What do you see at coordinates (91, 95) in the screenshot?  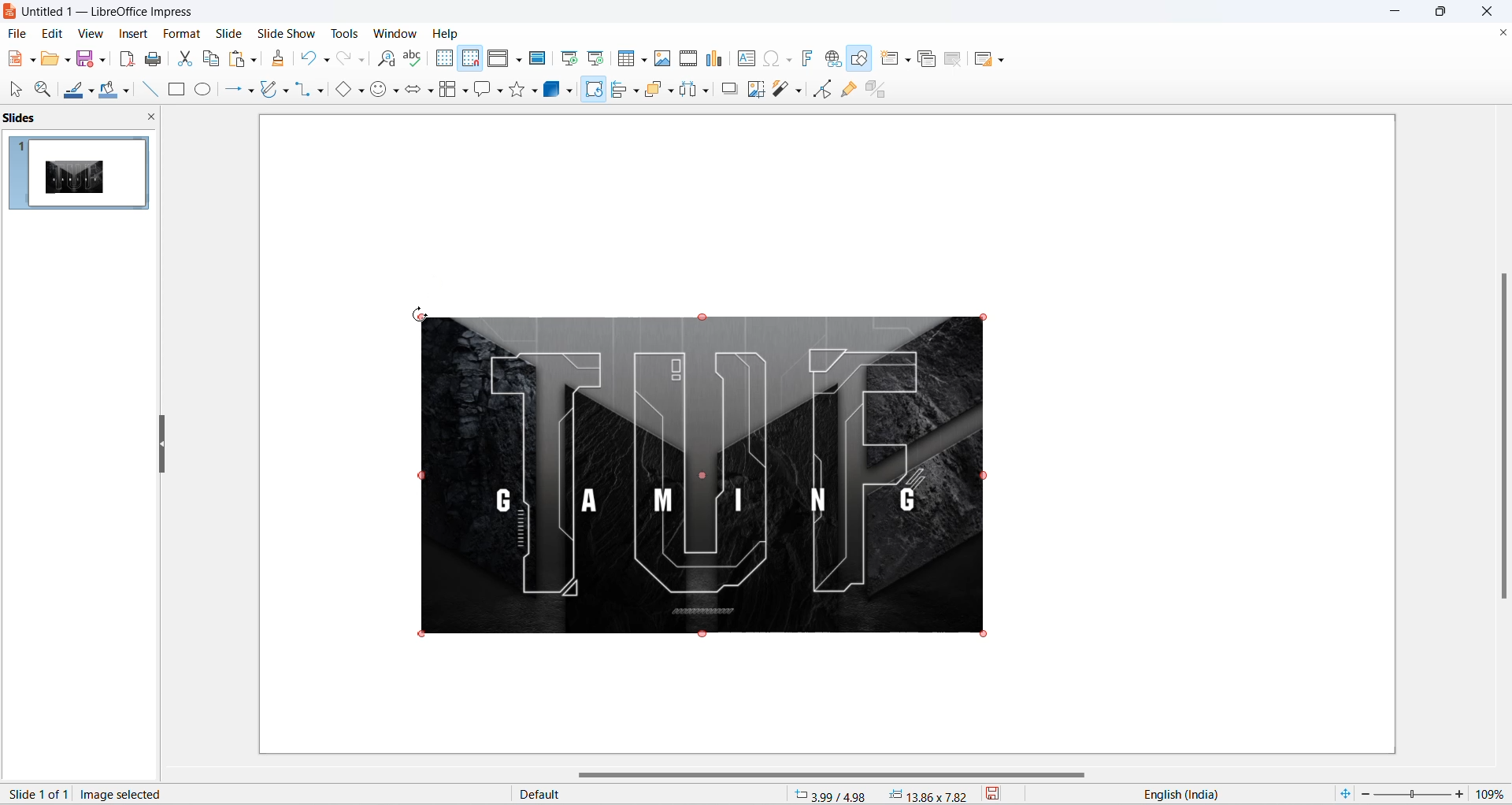 I see `line color options` at bounding box center [91, 95].